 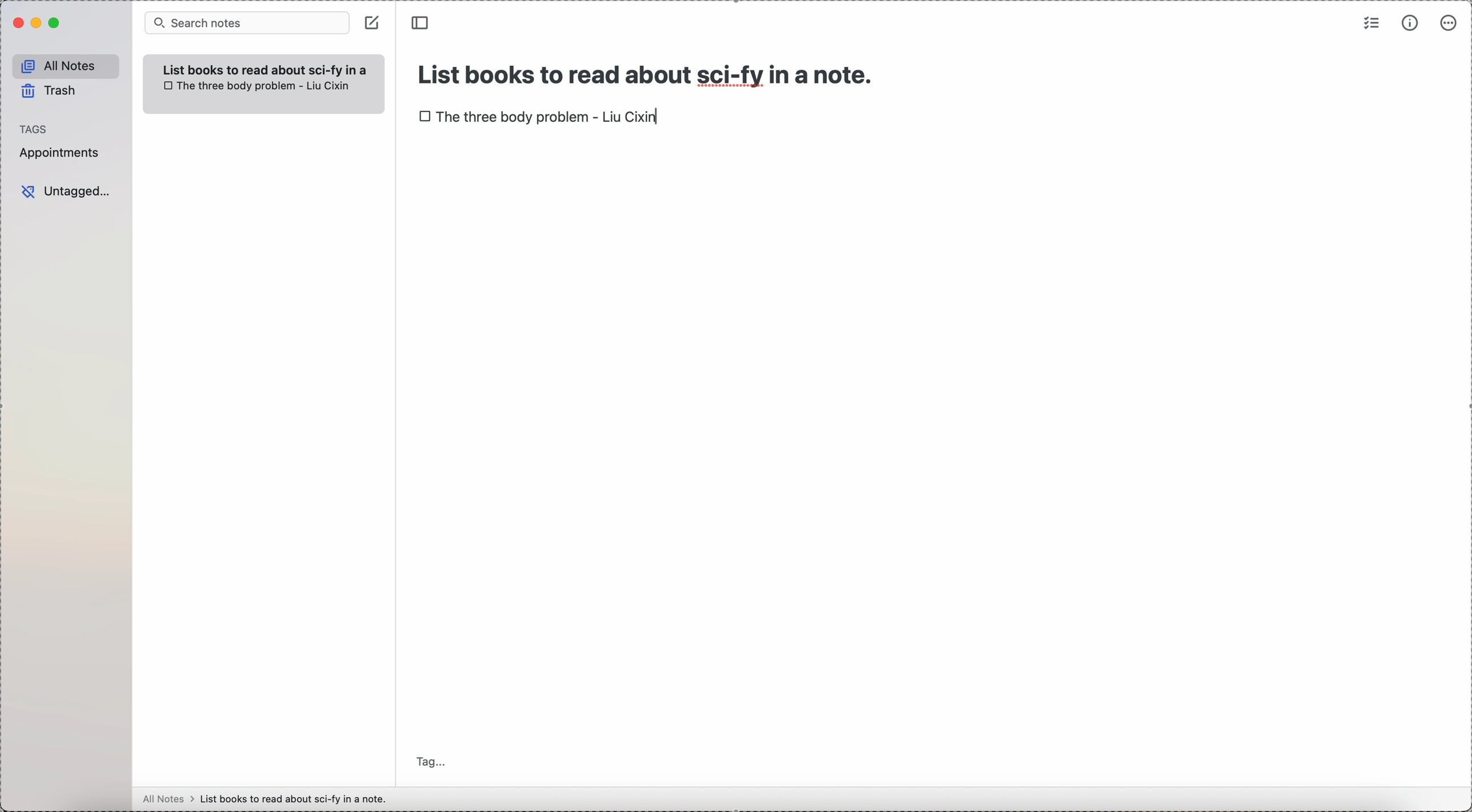 I want to click on checkbox, so click(x=167, y=86).